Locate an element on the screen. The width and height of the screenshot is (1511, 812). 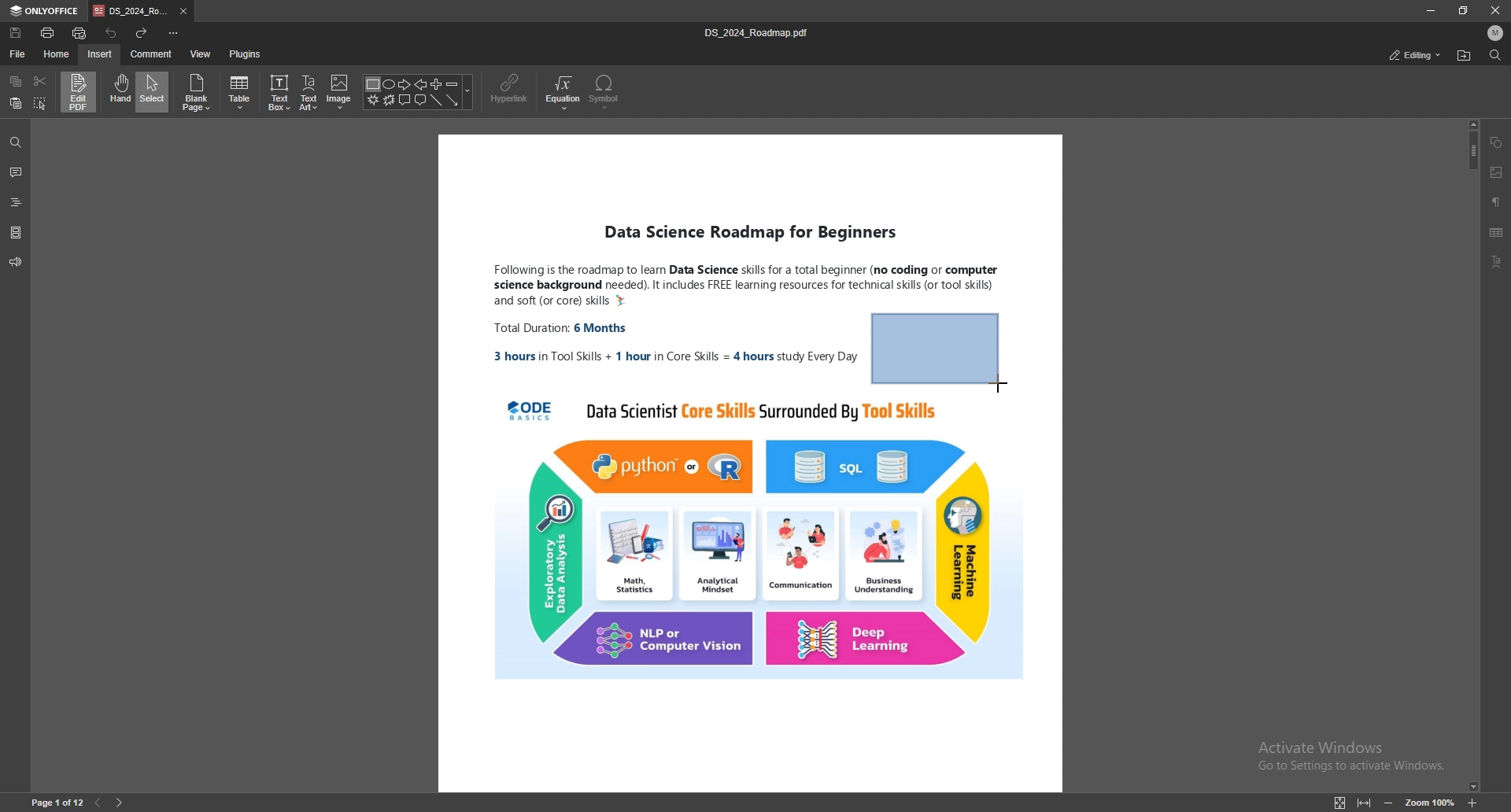
PDF is located at coordinates (943, 594).